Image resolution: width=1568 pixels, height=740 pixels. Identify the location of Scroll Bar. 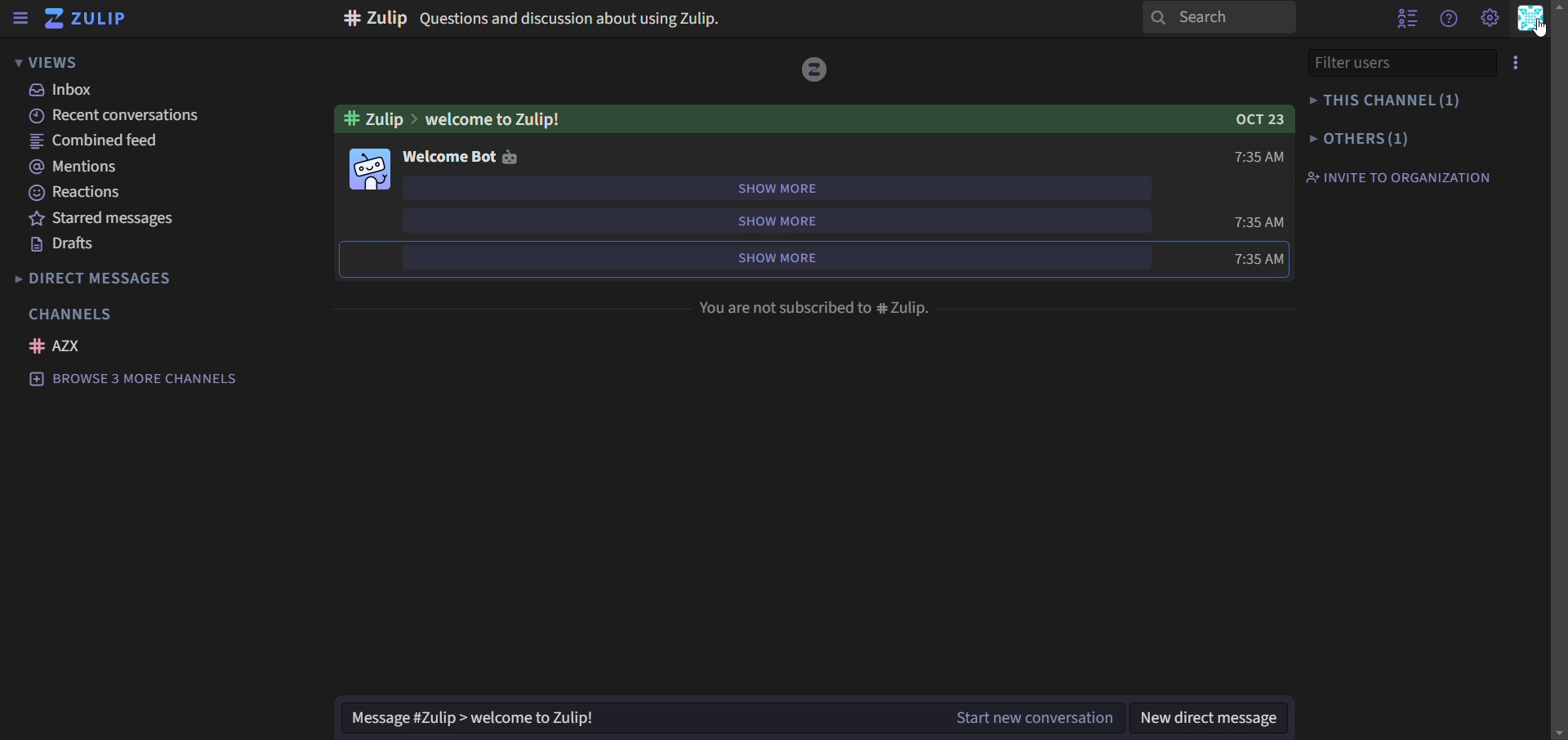
(1558, 370).